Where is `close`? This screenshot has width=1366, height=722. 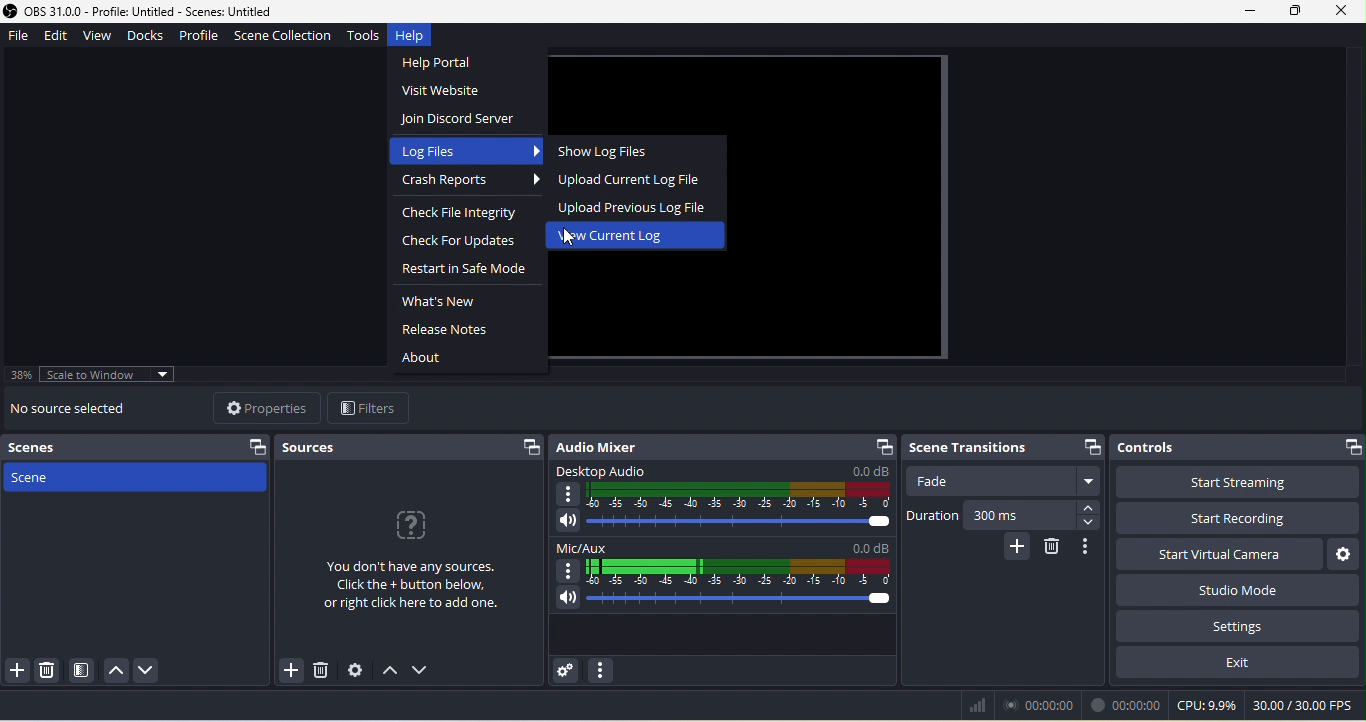
close is located at coordinates (1343, 11).